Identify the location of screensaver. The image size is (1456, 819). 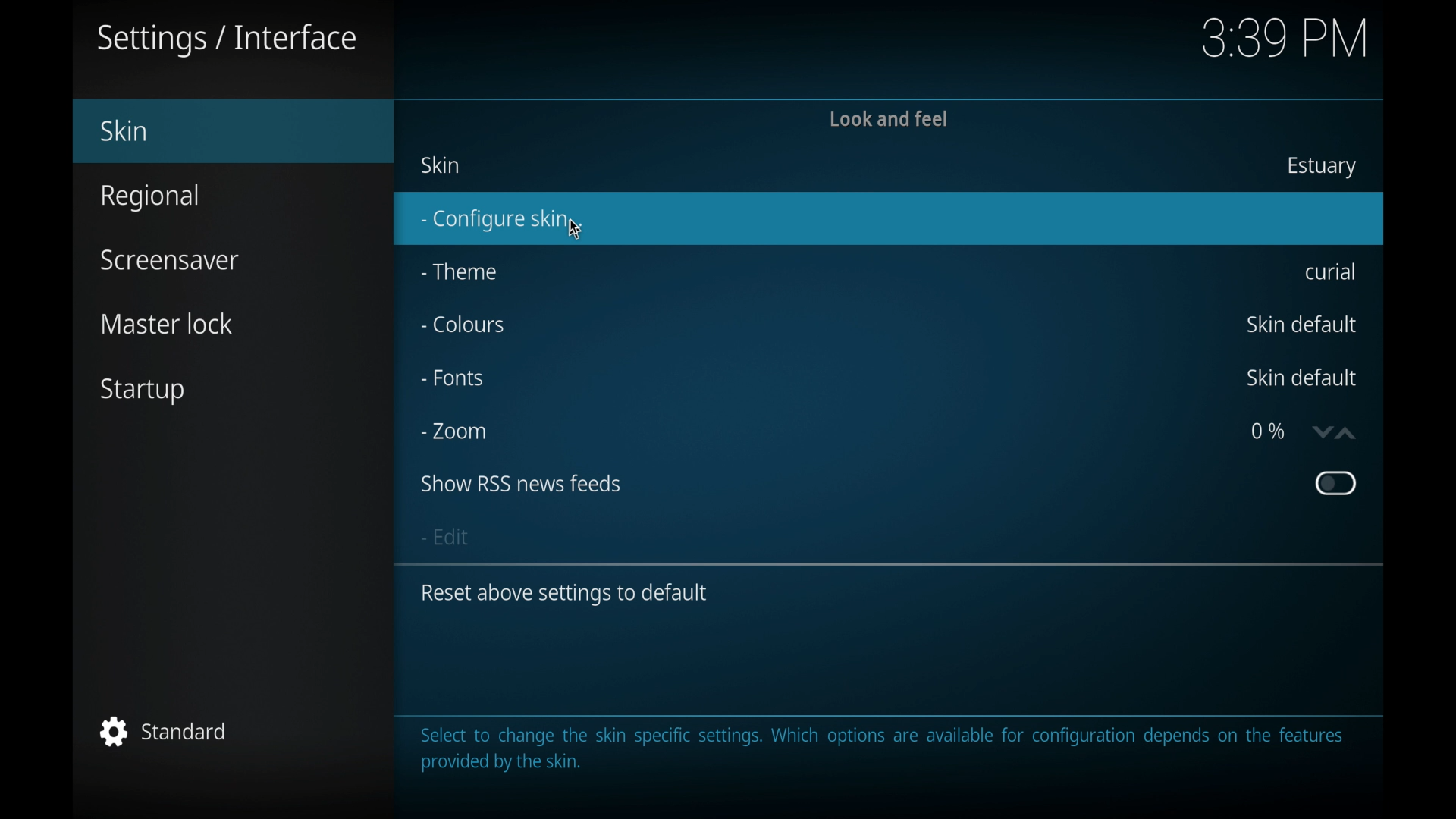
(170, 259).